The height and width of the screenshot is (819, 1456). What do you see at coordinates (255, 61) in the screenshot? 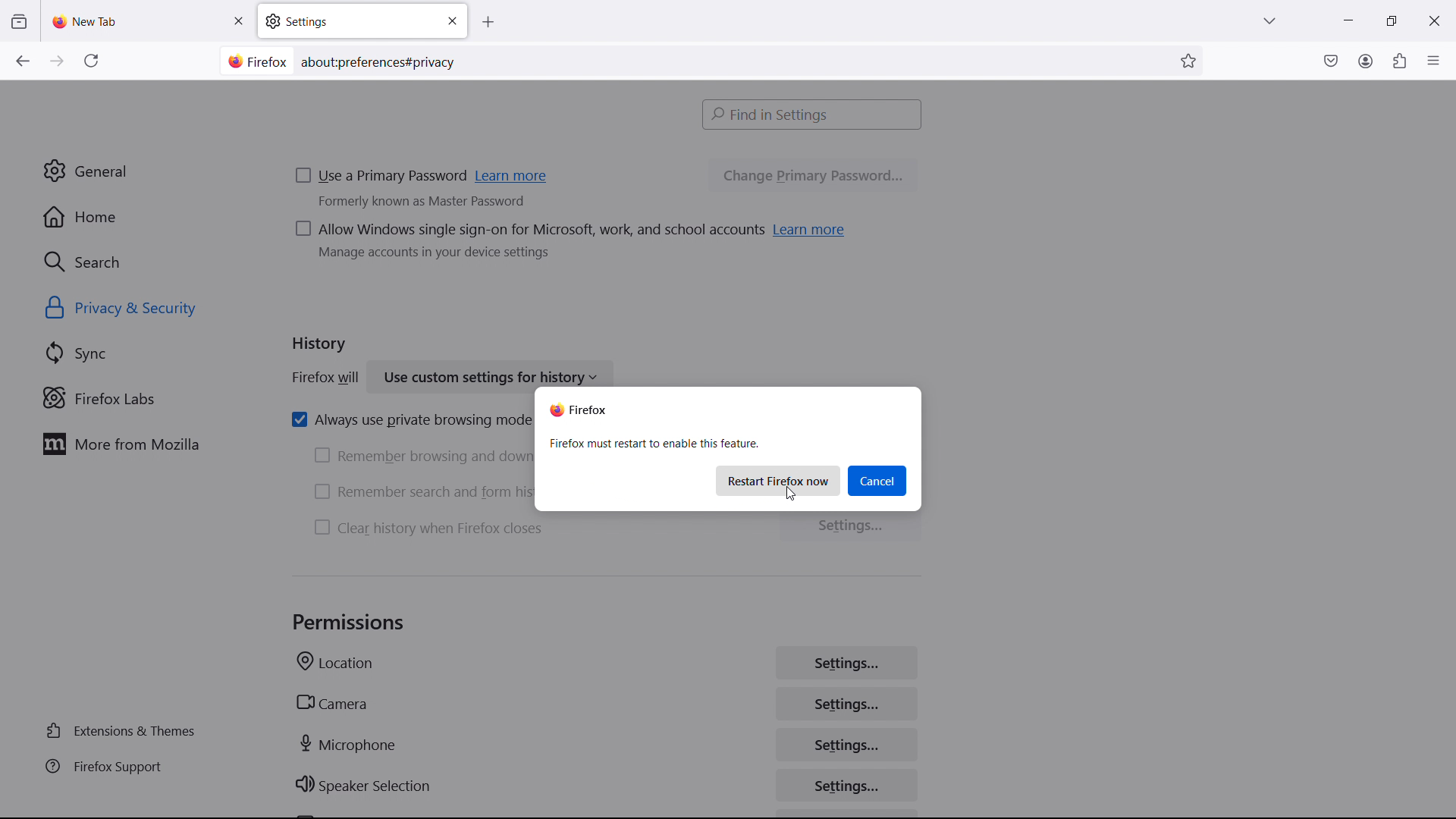
I see `site information` at bounding box center [255, 61].